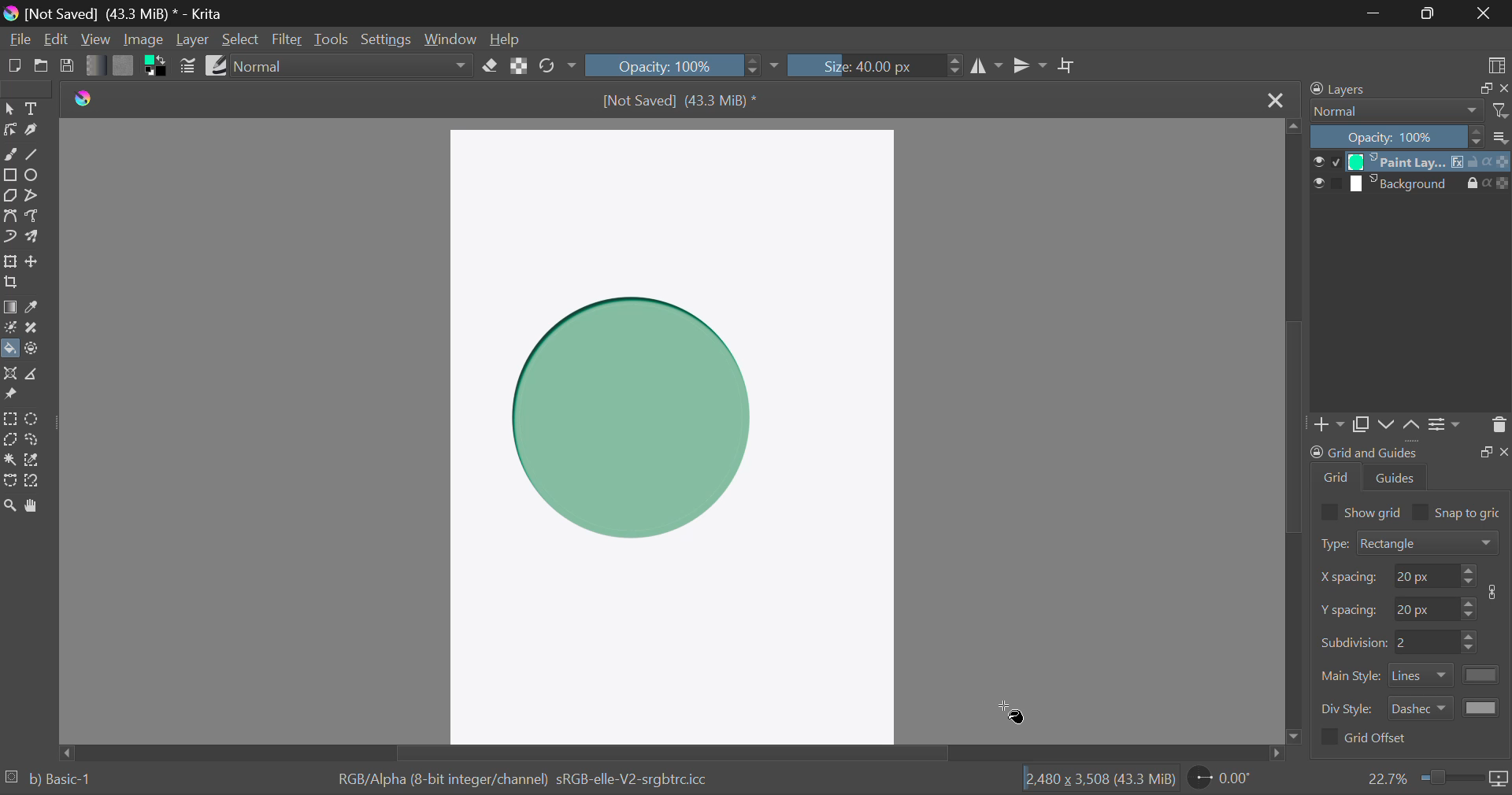 Image resolution: width=1512 pixels, height=795 pixels. What do you see at coordinates (1413, 643) in the screenshot?
I see `Grid Characteristic Input` at bounding box center [1413, 643].